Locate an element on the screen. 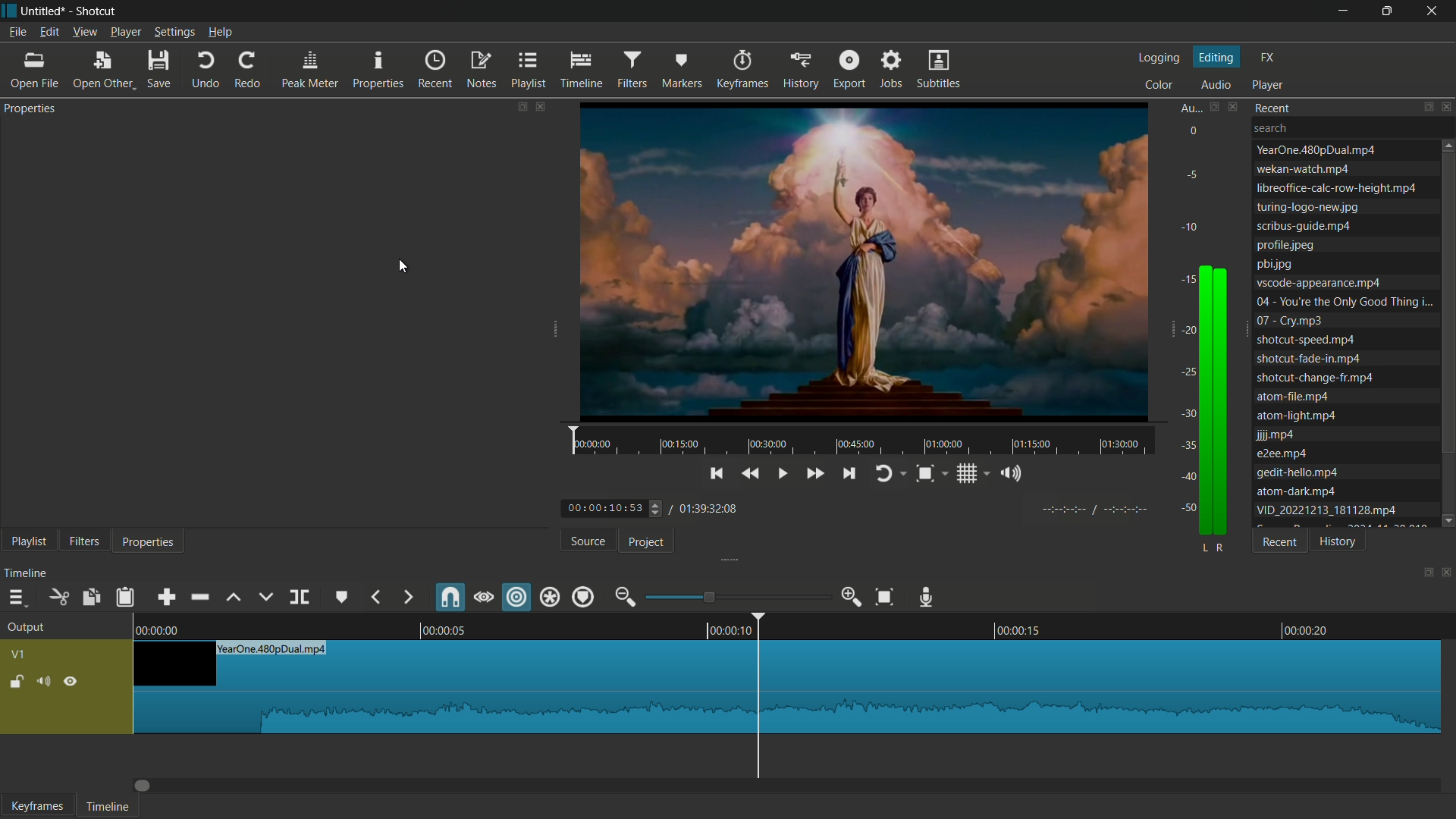 The width and height of the screenshot is (1456, 819). timeline is located at coordinates (582, 71).